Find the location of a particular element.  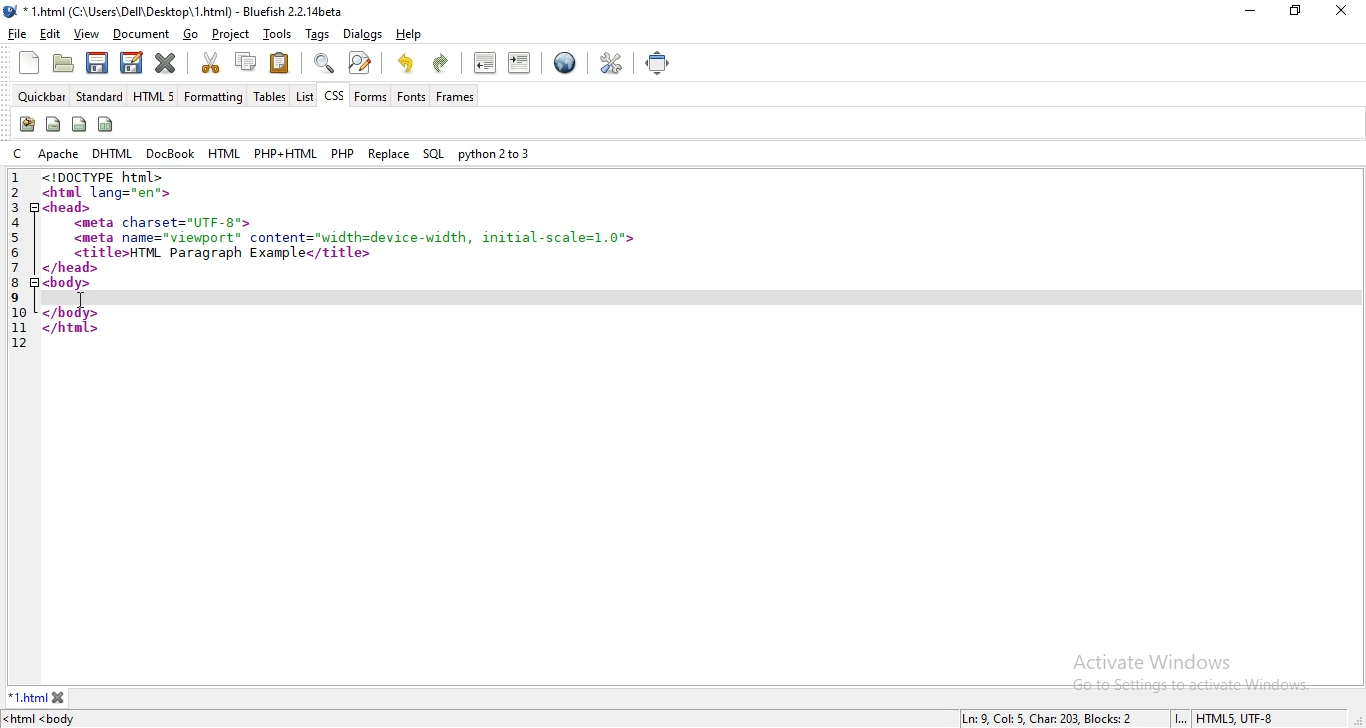

unindent is located at coordinates (484, 63).